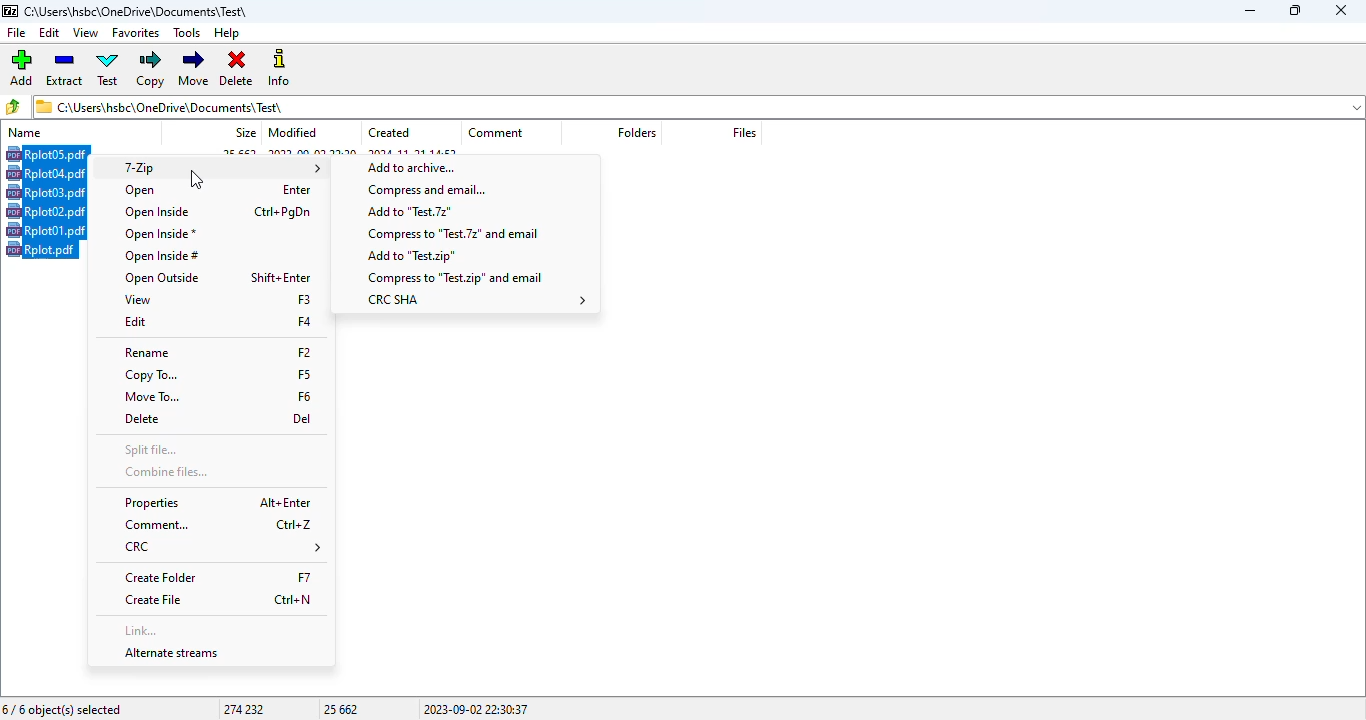 The image size is (1366, 720). What do you see at coordinates (389, 133) in the screenshot?
I see `created` at bounding box center [389, 133].